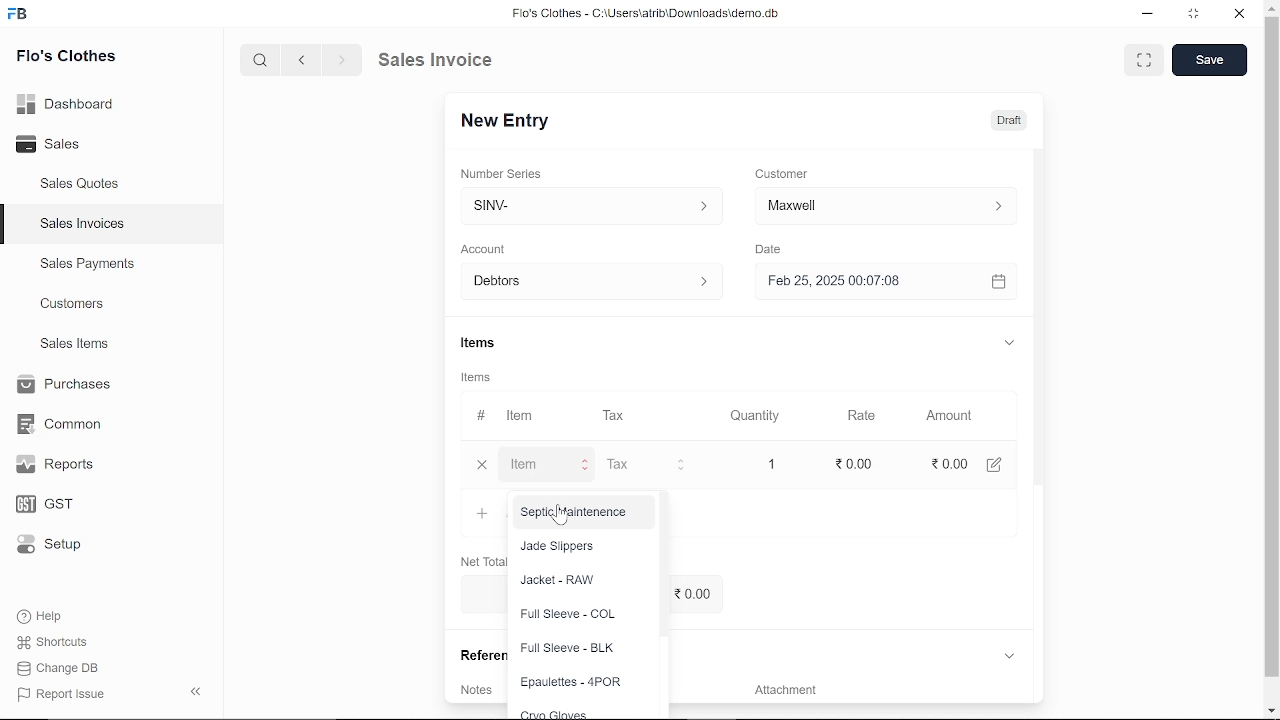 This screenshot has height=720, width=1280. Describe the element at coordinates (303, 60) in the screenshot. I see `previous` at that location.